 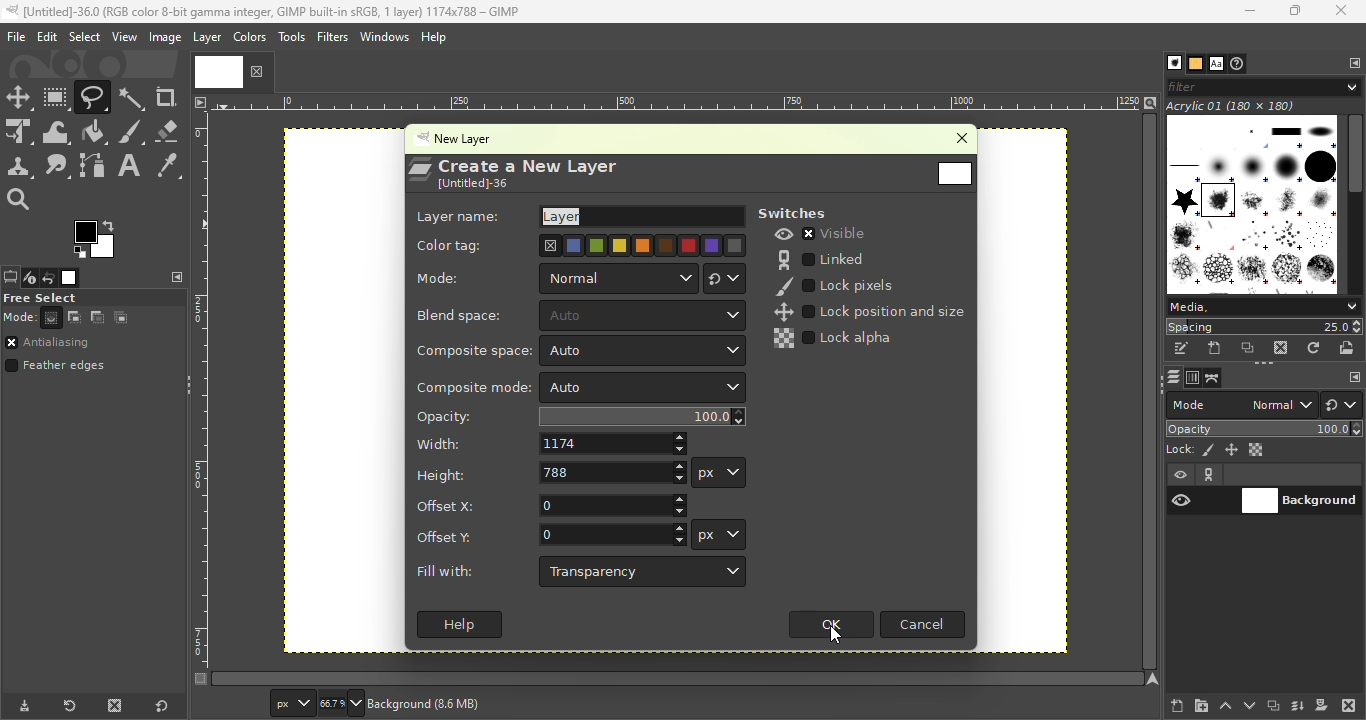 What do you see at coordinates (1194, 62) in the screenshot?
I see `Patterns` at bounding box center [1194, 62].